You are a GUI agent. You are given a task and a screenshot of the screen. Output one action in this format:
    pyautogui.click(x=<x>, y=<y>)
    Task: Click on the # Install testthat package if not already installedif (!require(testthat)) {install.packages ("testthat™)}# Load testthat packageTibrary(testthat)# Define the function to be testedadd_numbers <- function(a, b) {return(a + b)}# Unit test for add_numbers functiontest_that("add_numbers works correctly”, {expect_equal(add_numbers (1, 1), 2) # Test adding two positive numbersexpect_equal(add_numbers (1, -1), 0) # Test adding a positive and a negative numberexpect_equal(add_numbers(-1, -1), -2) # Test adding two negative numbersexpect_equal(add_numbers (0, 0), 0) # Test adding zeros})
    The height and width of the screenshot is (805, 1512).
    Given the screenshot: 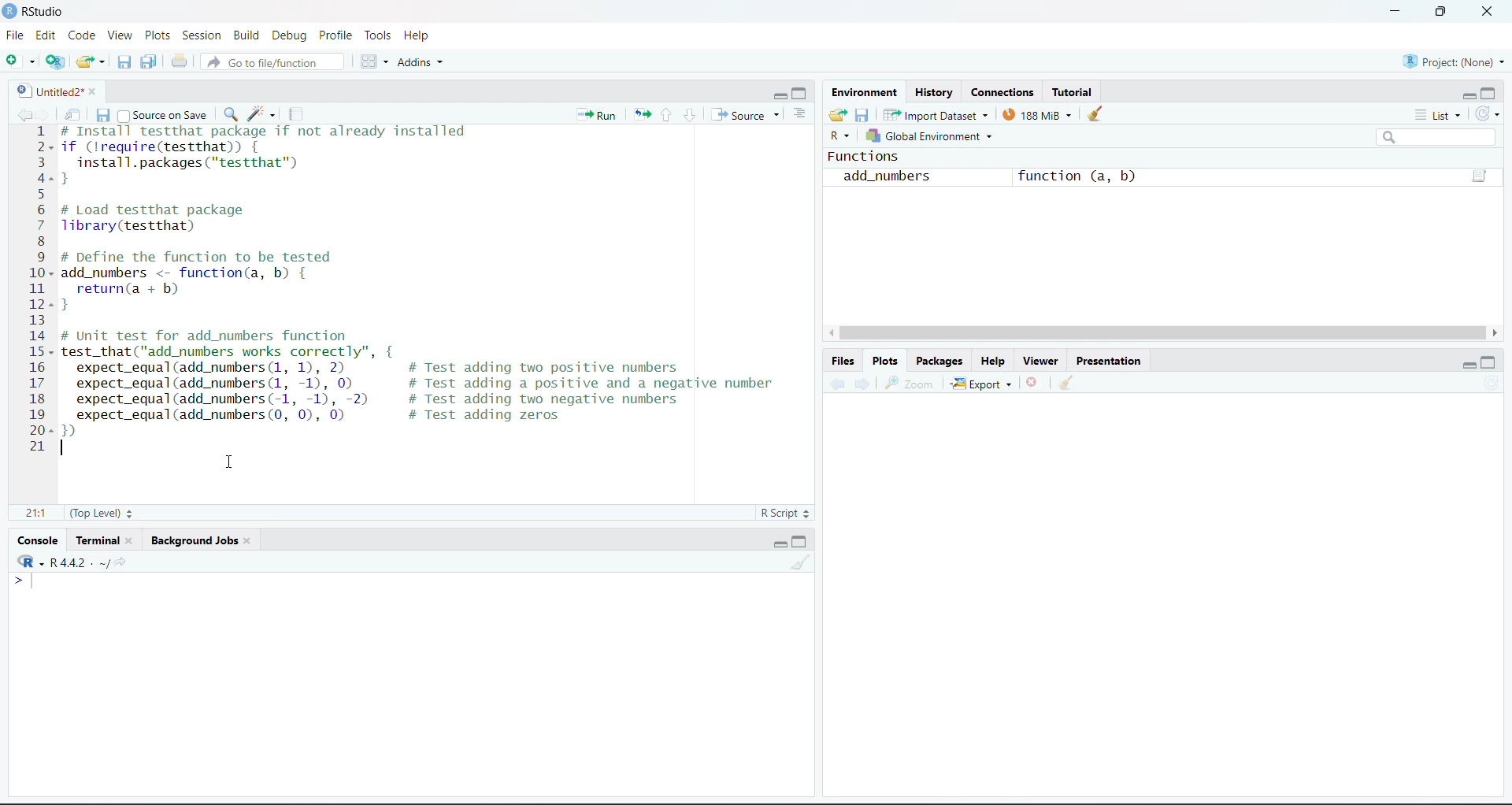 What is the action you would take?
    pyautogui.click(x=430, y=282)
    